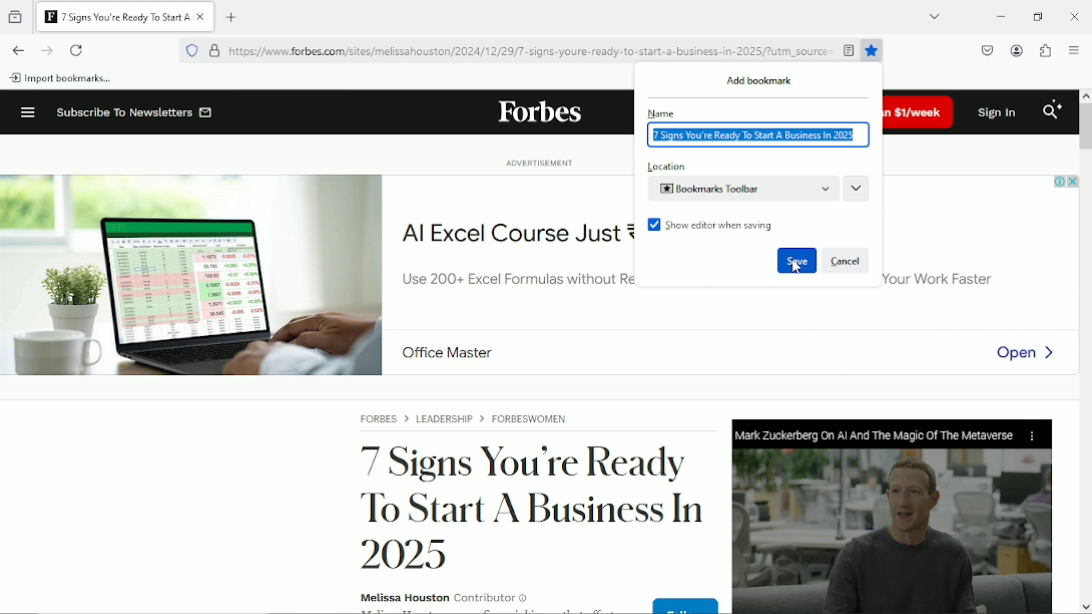 This screenshot has height=614, width=1092. Describe the element at coordinates (756, 127) in the screenshot. I see `name` at that location.